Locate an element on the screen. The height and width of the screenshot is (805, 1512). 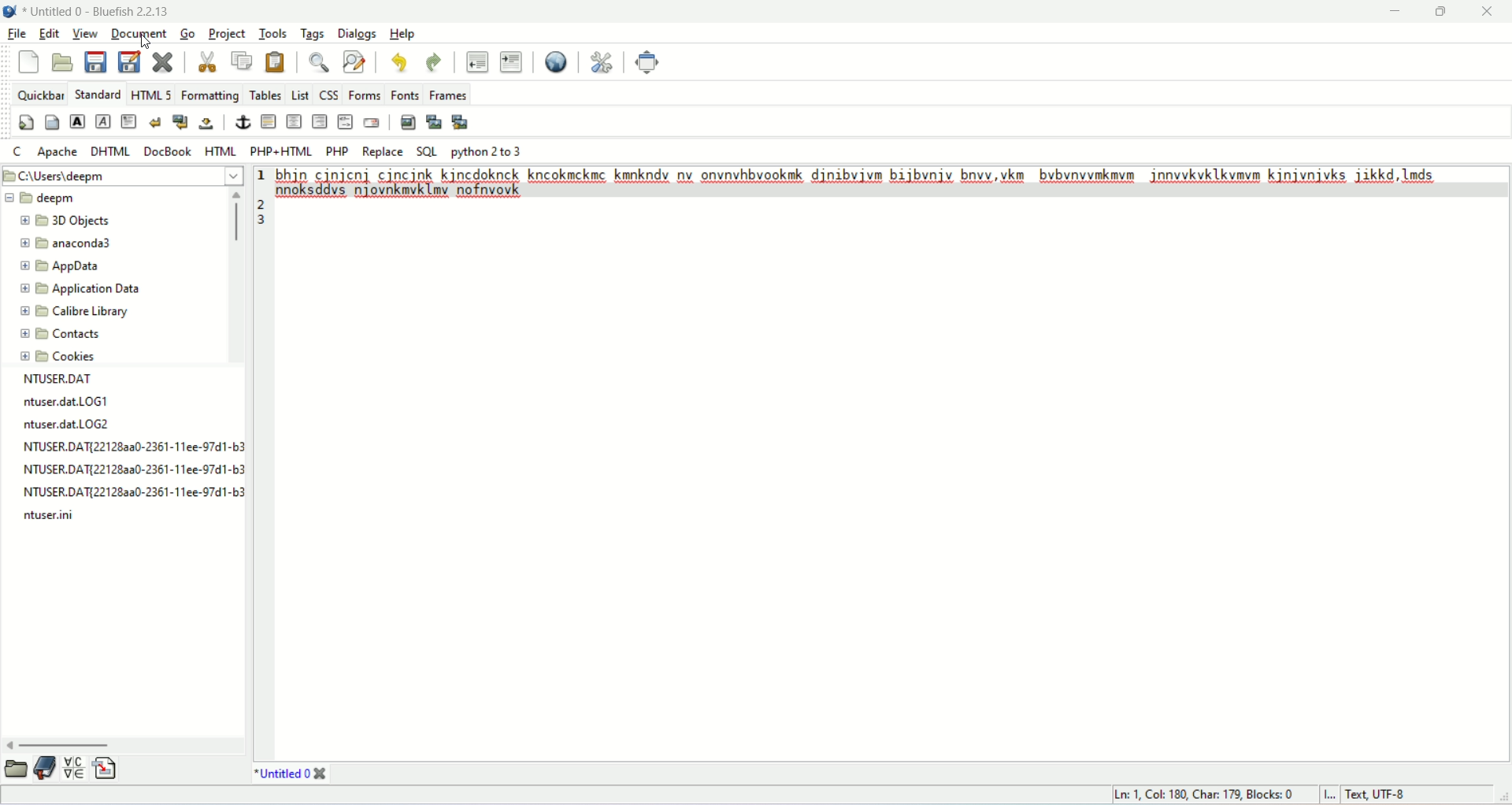
formatting is located at coordinates (210, 94).